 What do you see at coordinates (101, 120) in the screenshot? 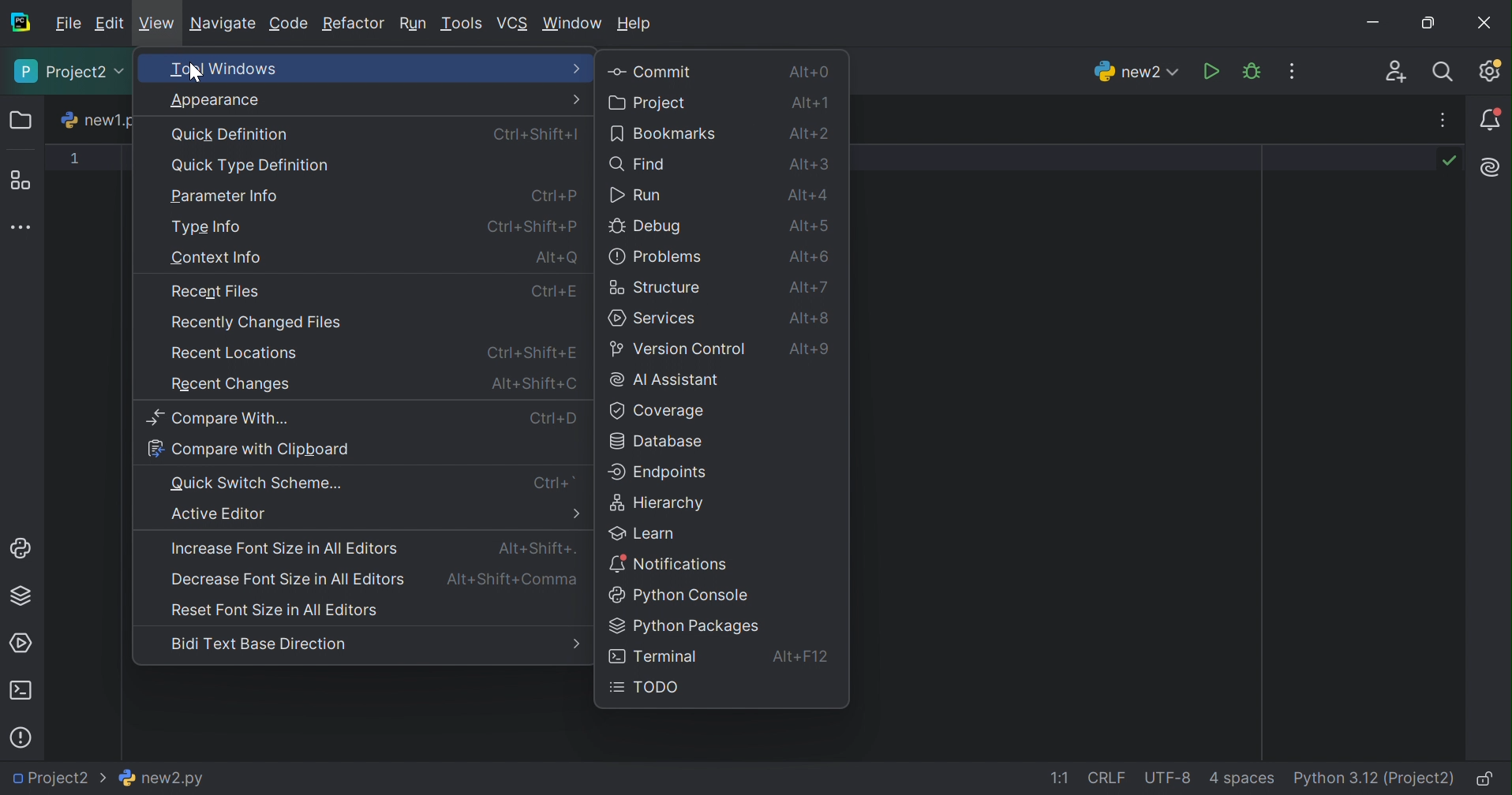
I see `new1.py` at bounding box center [101, 120].